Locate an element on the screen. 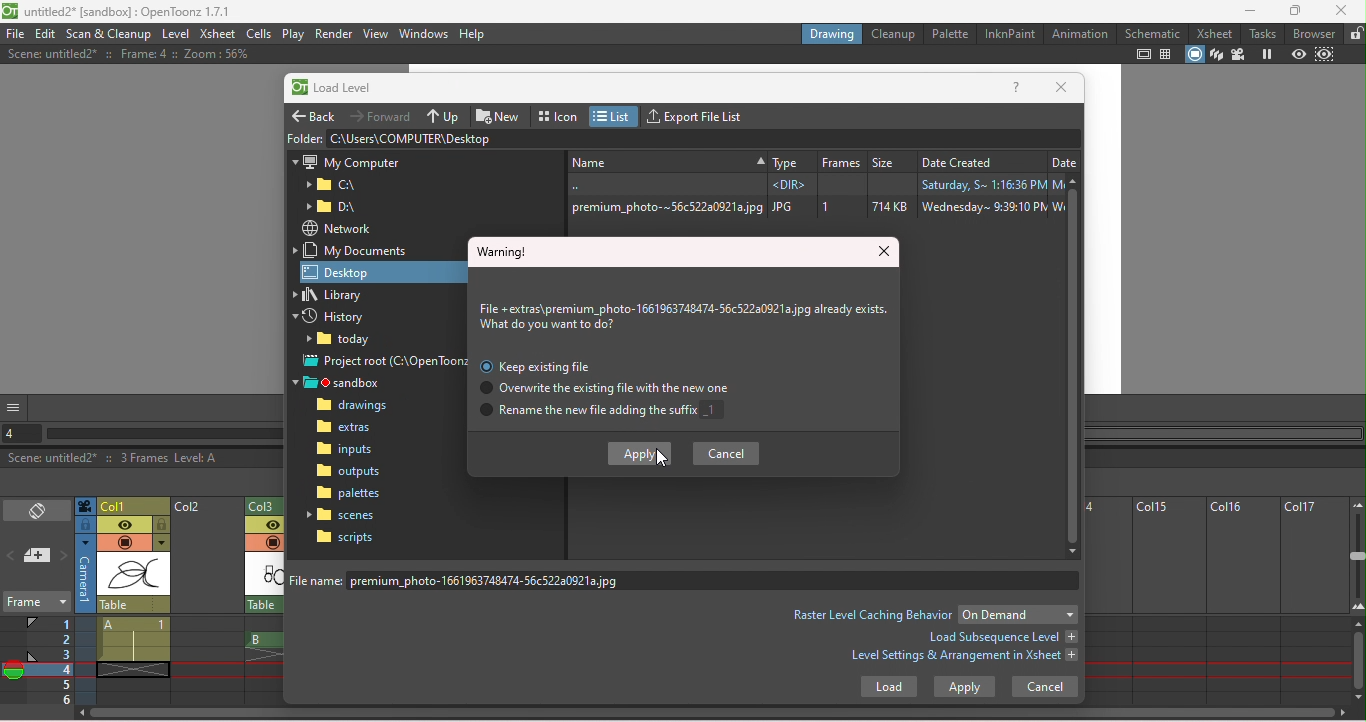 This screenshot has width=1366, height=722. Sub-camera is located at coordinates (1327, 55).